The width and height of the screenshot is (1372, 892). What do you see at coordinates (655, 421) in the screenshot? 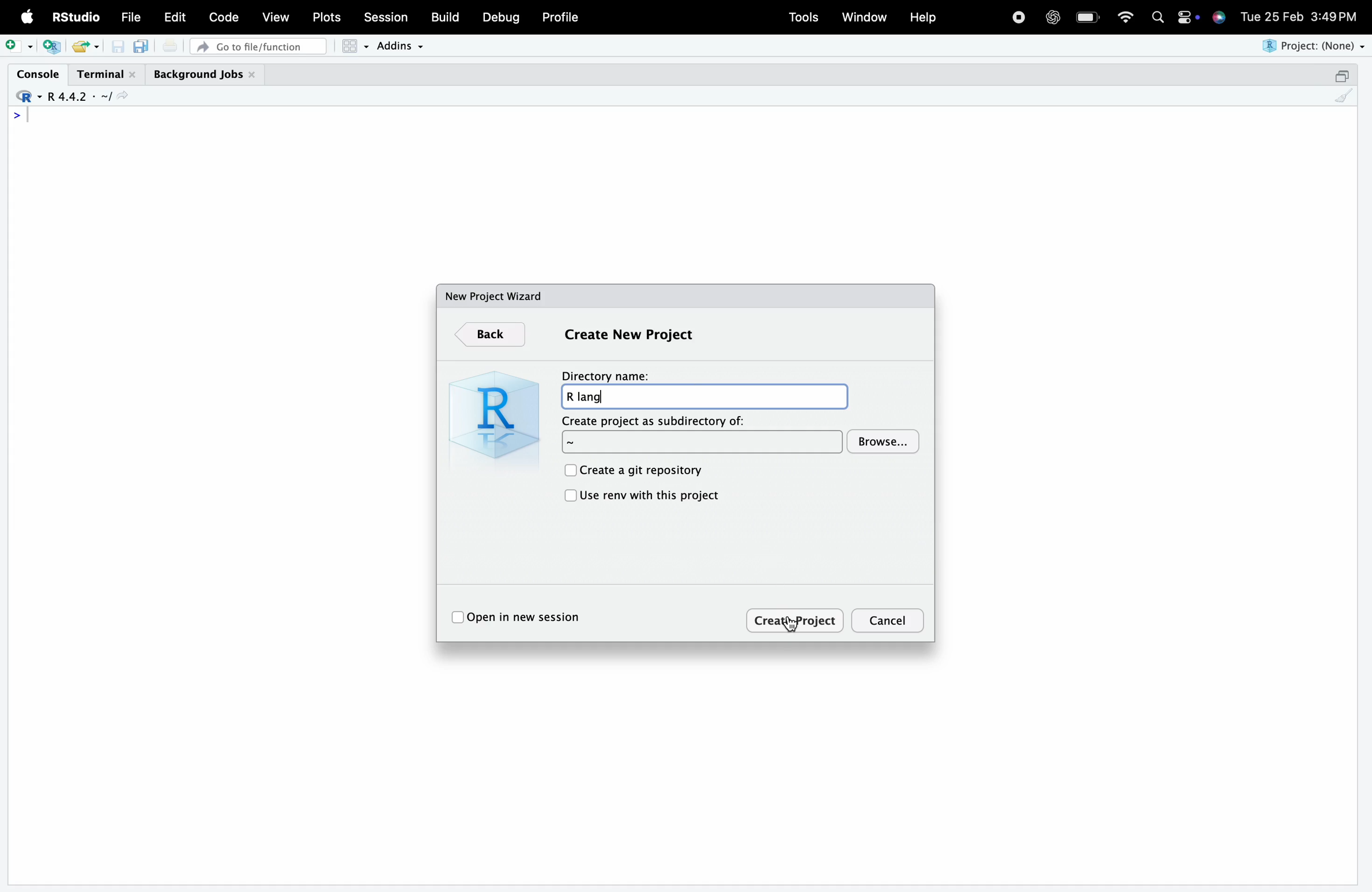
I see `Create project as subdirectory of:` at bounding box center [655, 421].